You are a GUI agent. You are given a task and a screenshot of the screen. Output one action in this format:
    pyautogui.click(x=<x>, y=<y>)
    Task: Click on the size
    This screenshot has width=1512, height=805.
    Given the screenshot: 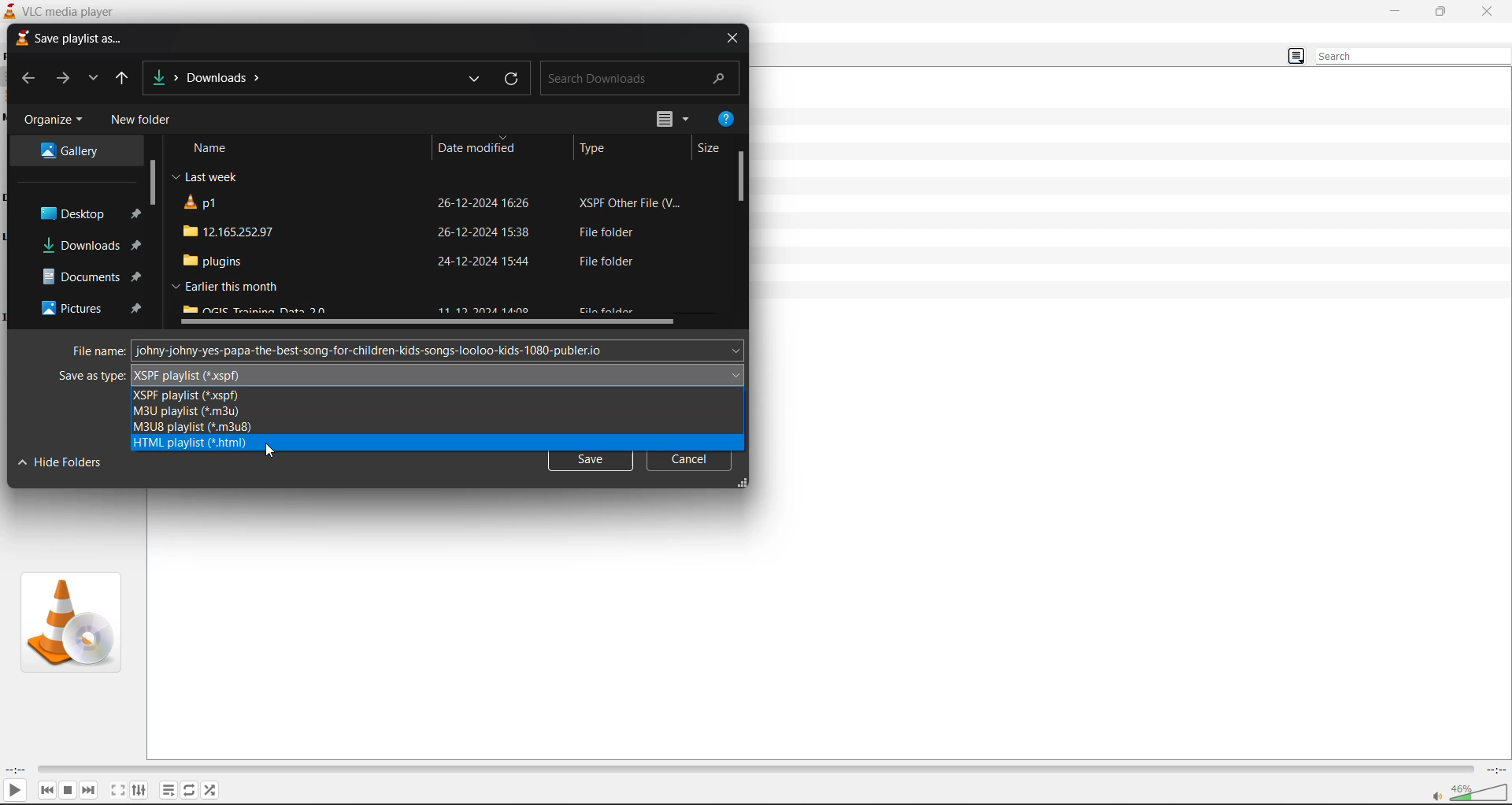 What is the action you would take?
    pyautogui.click(x=710, y=150)
    